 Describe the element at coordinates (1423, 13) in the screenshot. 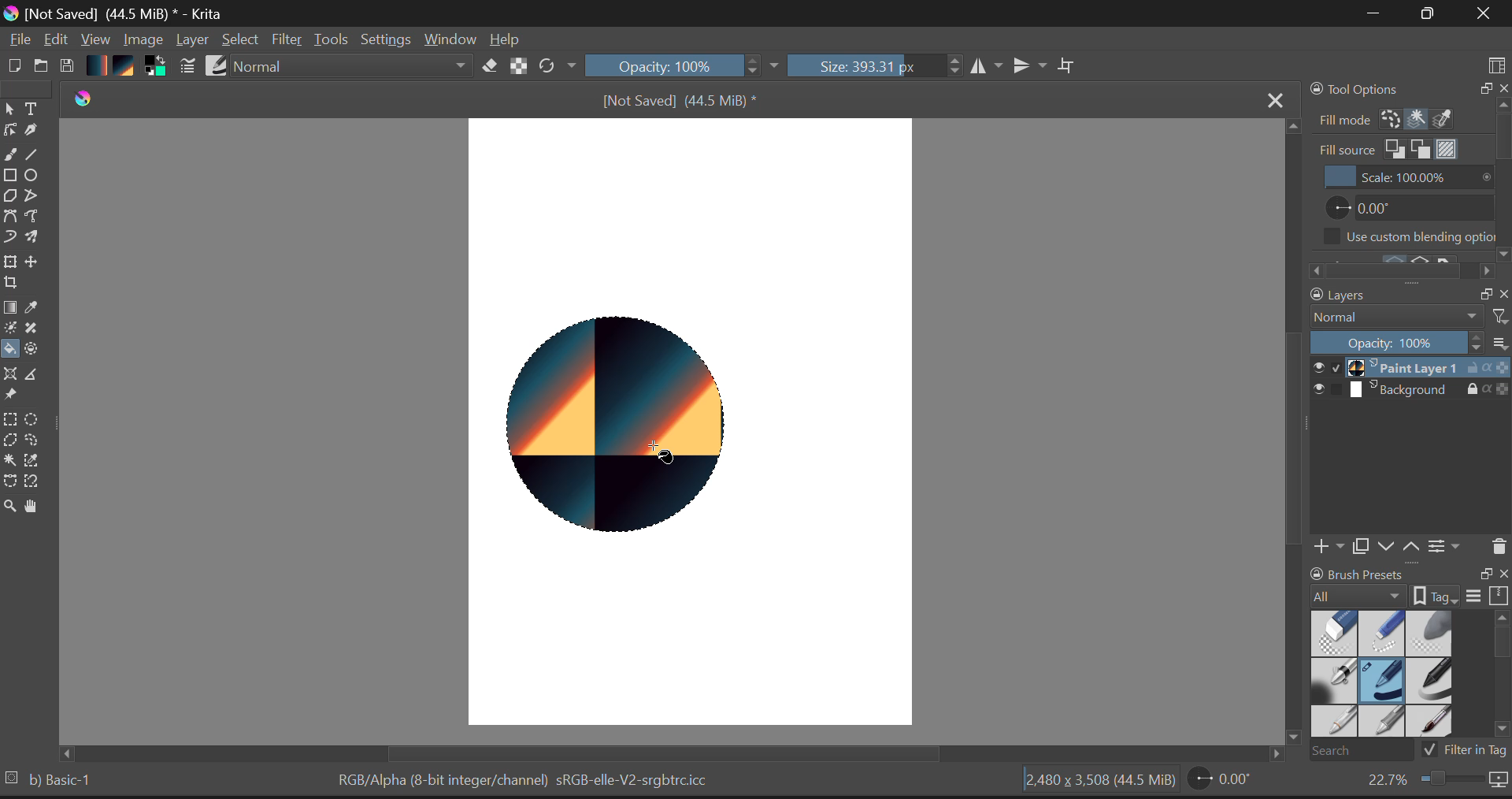

I see `Minimize` at that location.